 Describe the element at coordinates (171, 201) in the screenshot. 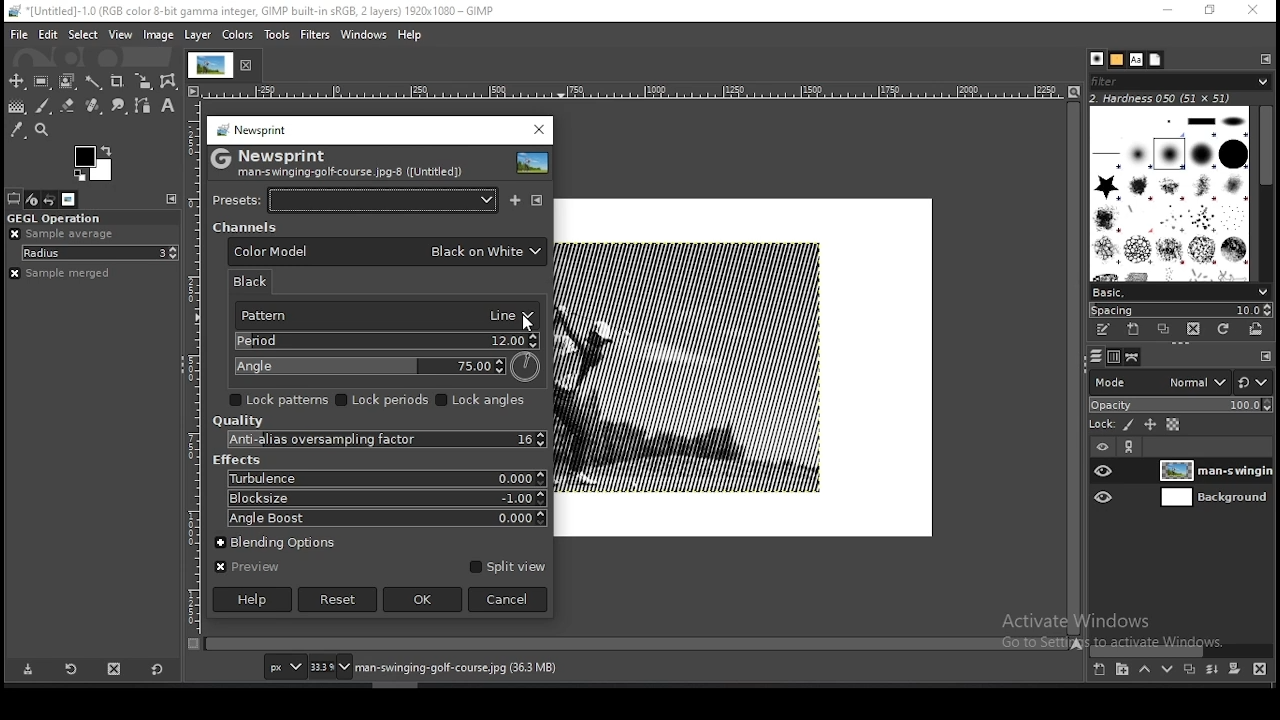

I see `configure this tab` at that location.